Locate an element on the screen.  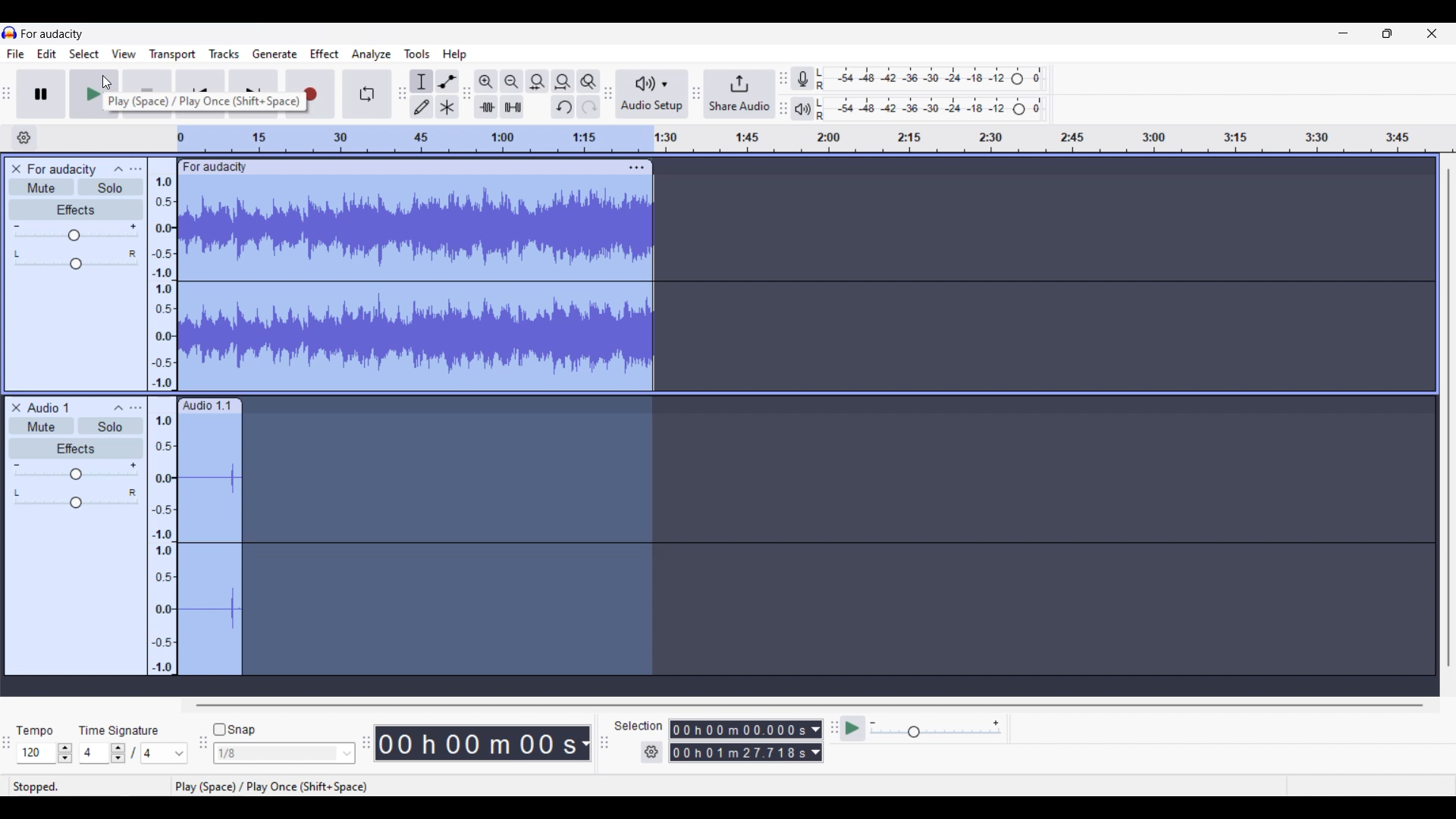
Settings is located at coordinates (651, 752).